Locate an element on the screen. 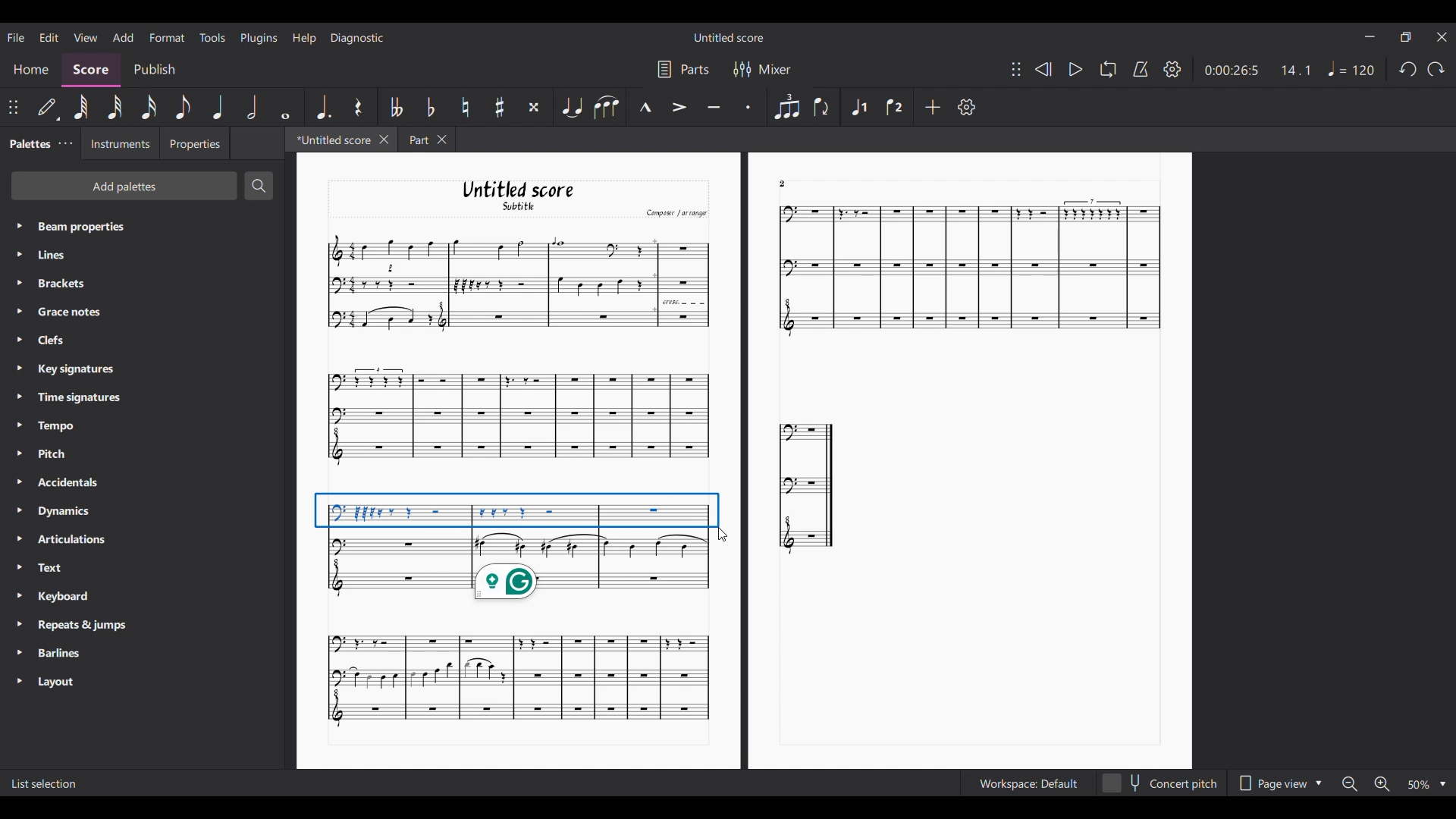 This screenshot has height=819, width=1456. Graph is located at coordinates (516, 417).